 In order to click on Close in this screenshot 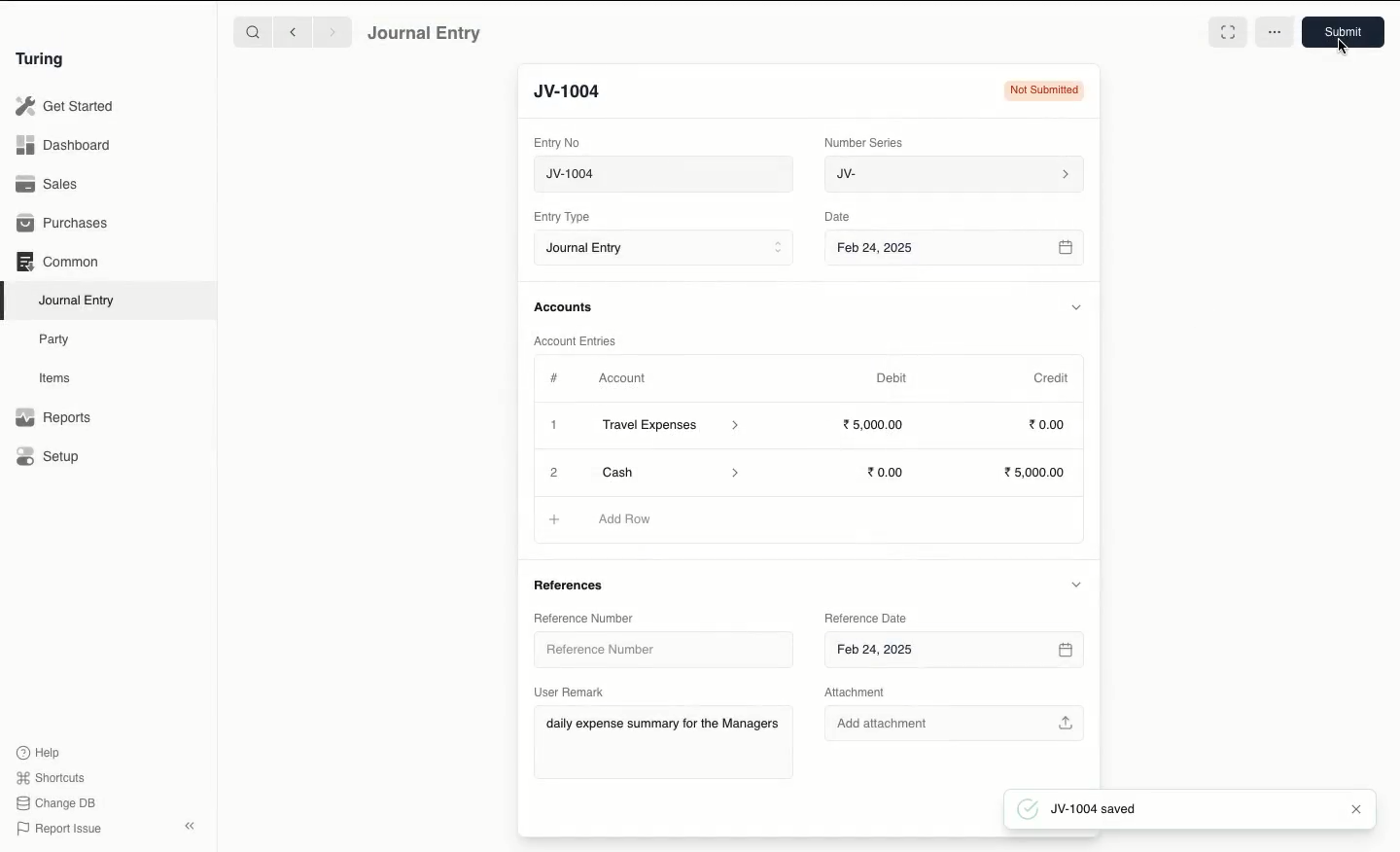, I will do `click(1353, 806)`.